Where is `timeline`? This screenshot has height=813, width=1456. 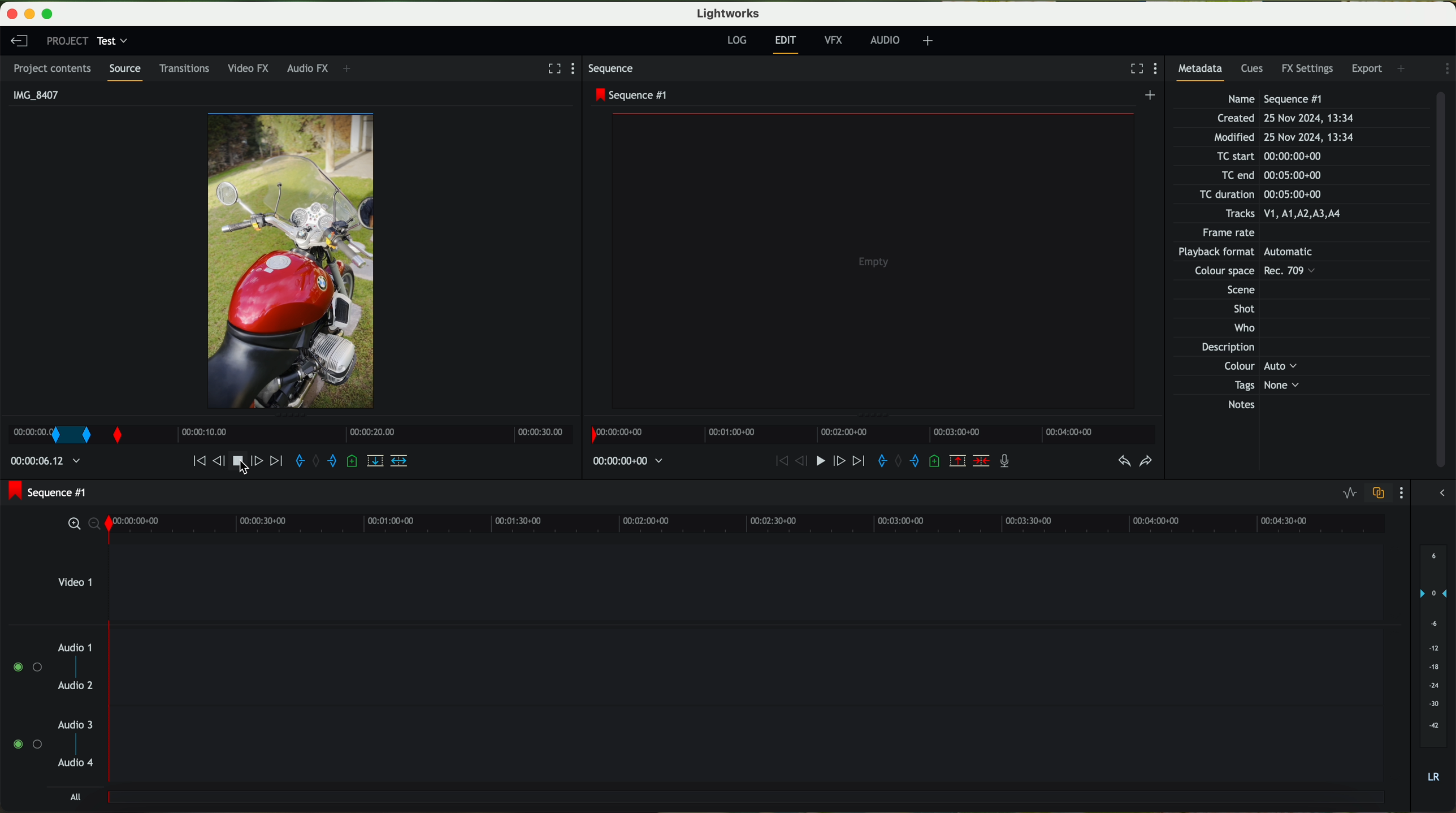
timeline is located at coordinates (747, 523).